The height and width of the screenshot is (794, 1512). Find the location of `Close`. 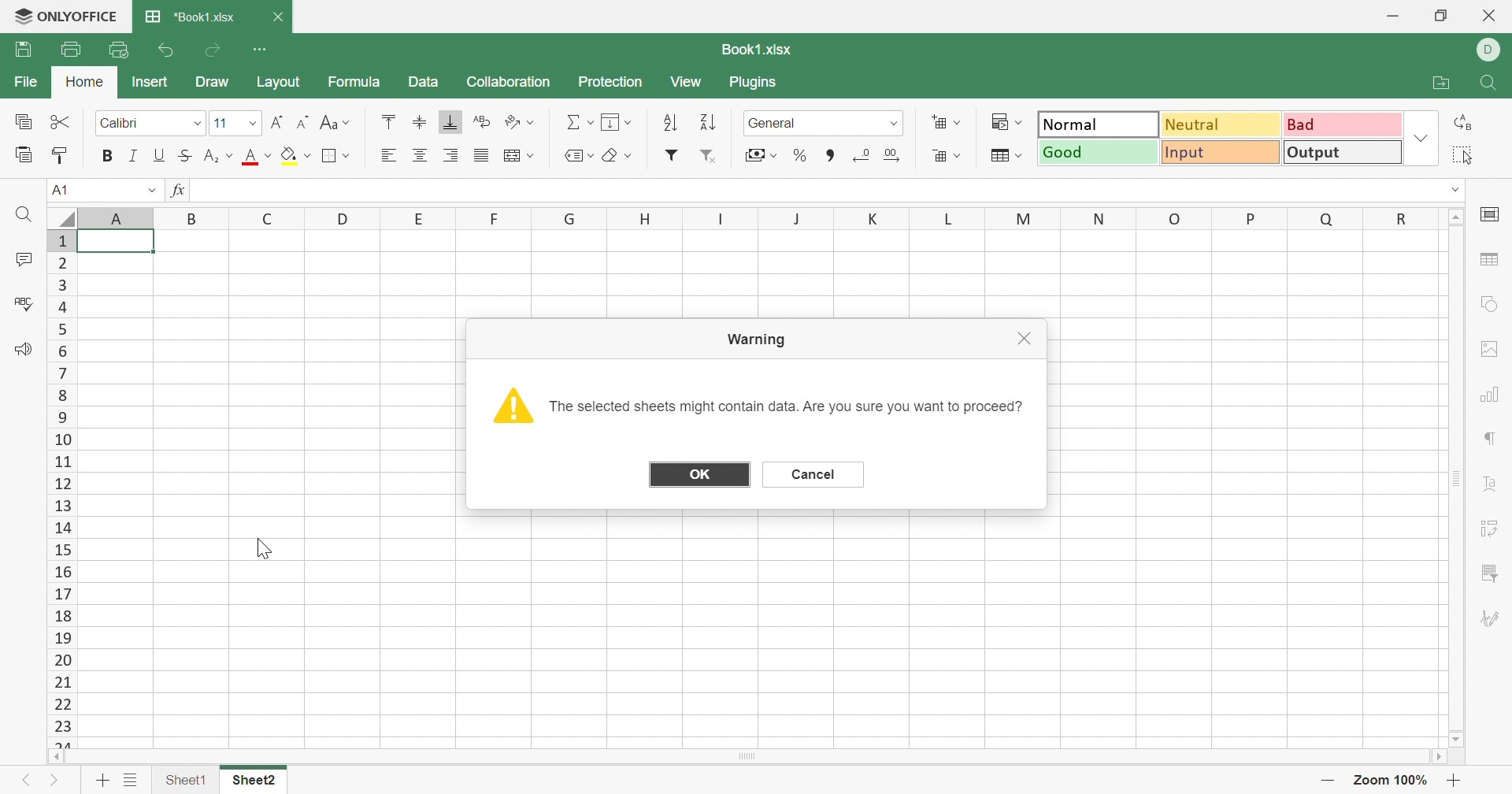

Close is located at coordinates (1492, 18).